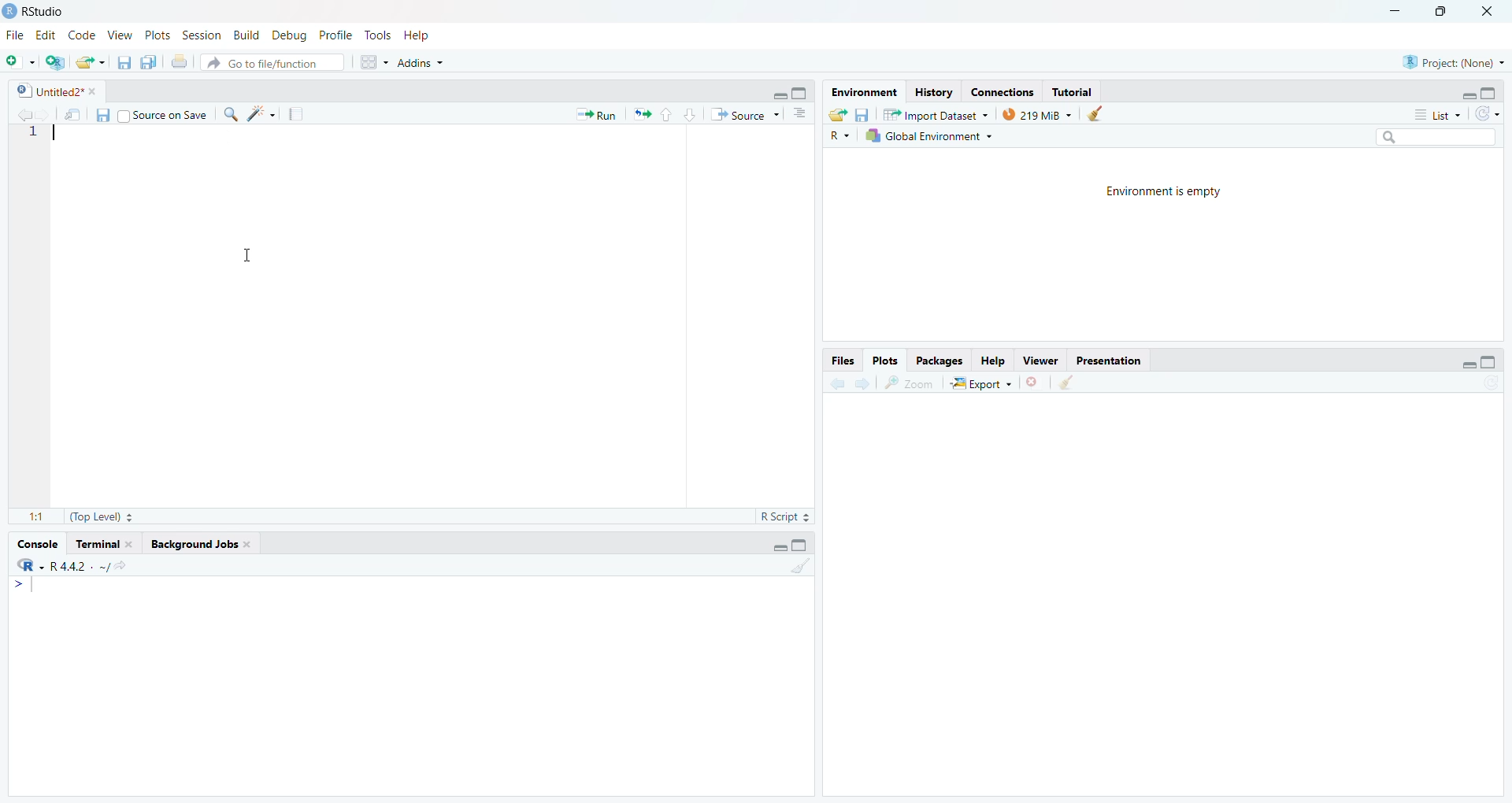  What do you see at coordinates (1445, 13) in the screenshot?
I see `Maximize` at bounding box center [1445, 13].